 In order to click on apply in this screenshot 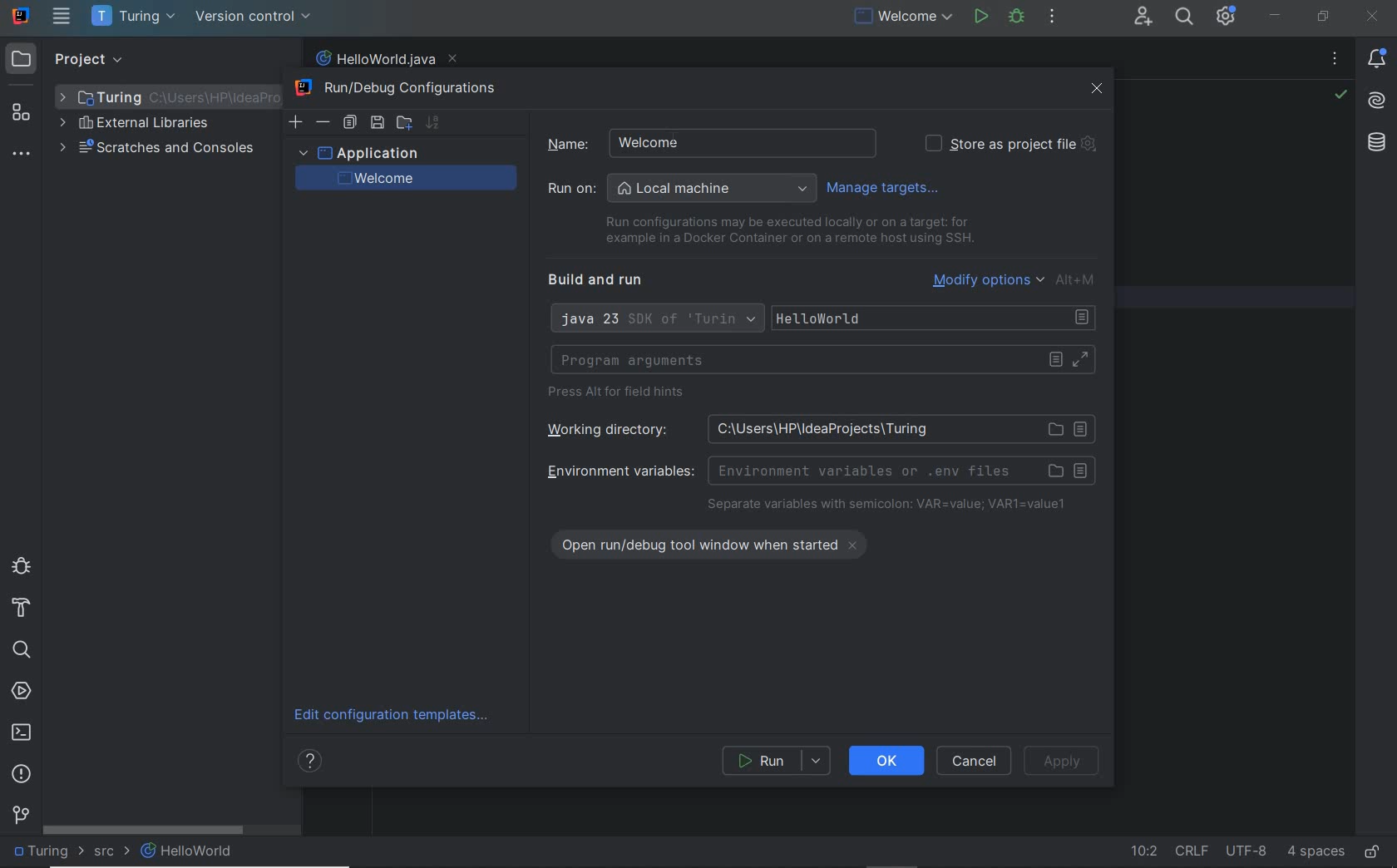, I will do `click(1065, 761)`.